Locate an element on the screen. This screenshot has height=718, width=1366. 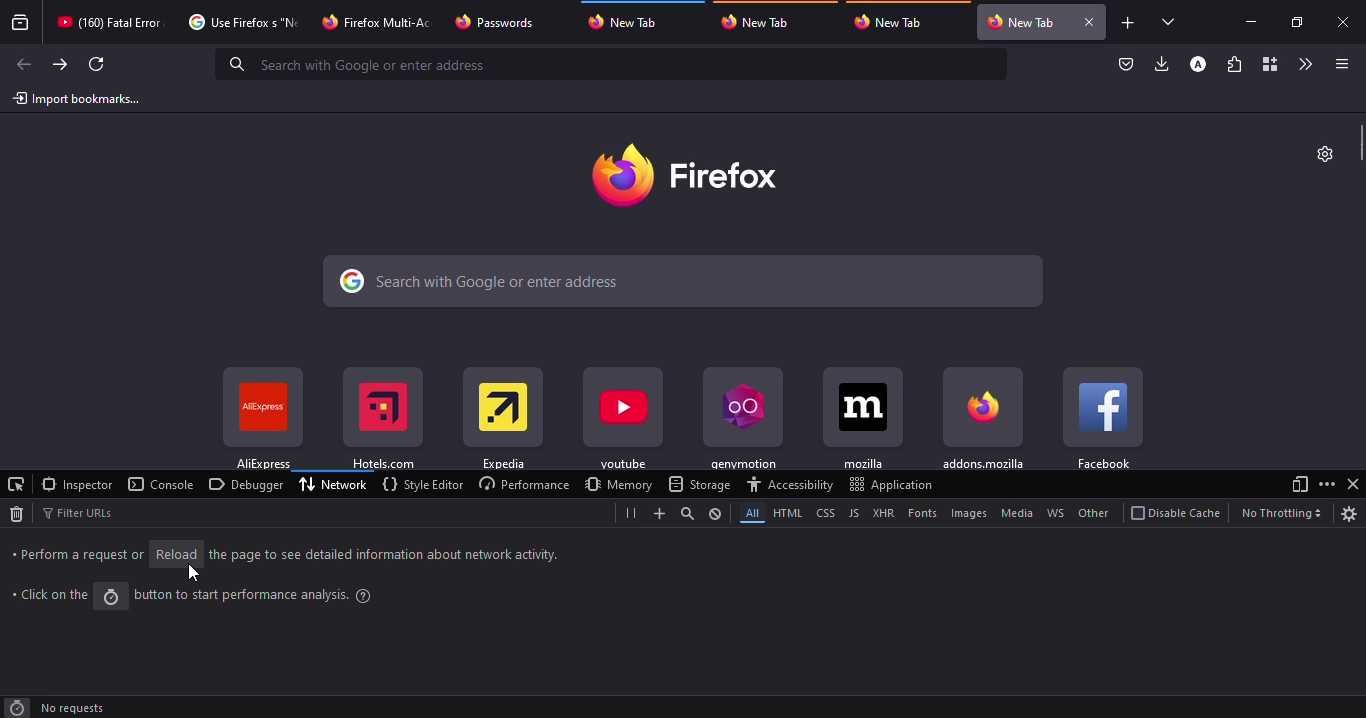
memory is located at coordinates (618, 484).